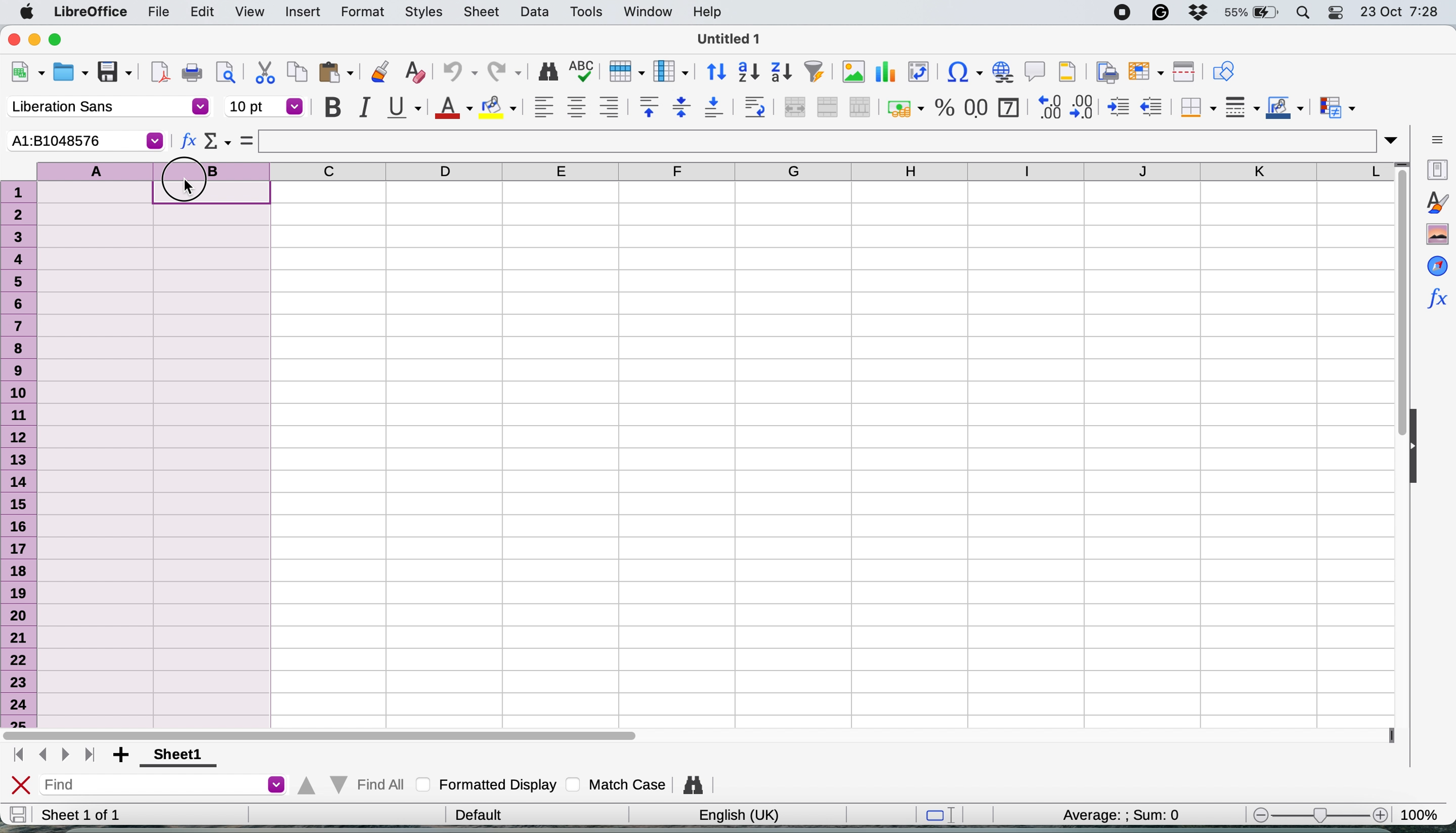 The height and width of the screenshot is (833, 1456). Describe the element at coordinates (610, 107) in the screenshot. I see `align right` at that location.